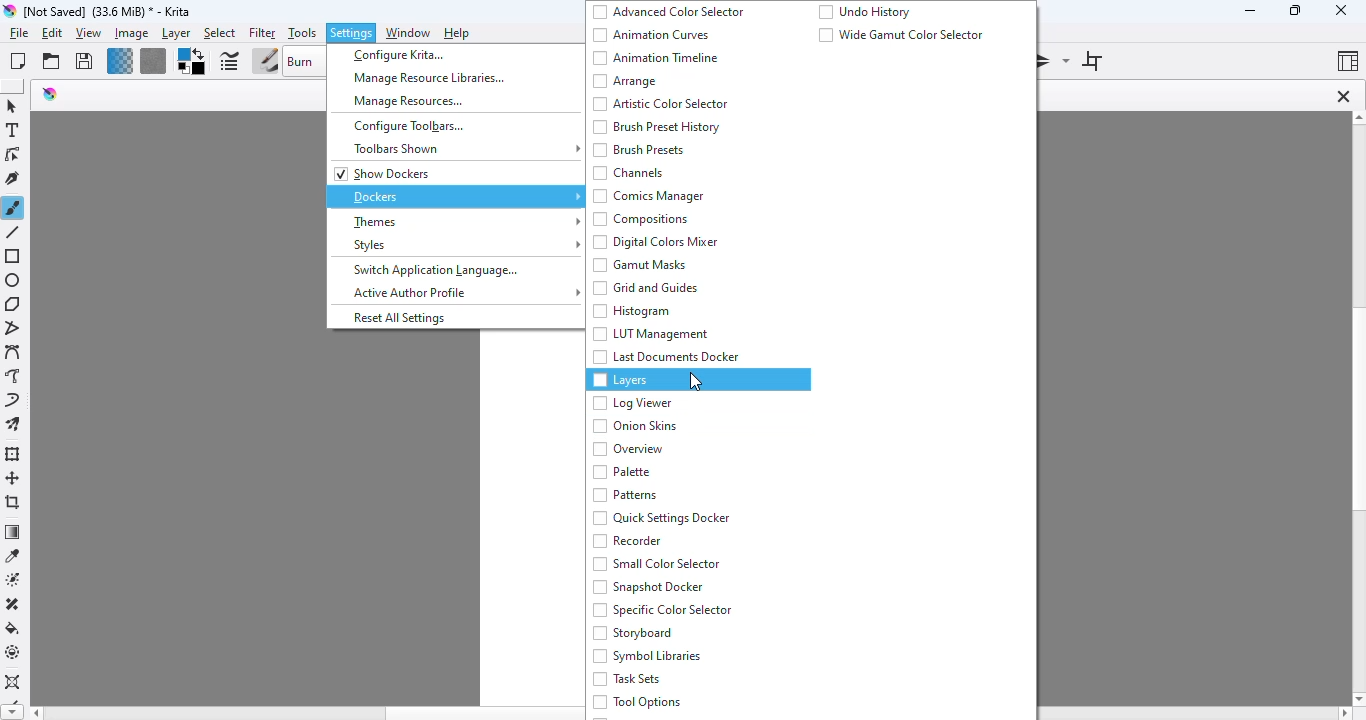  What do you see at coordinates (13, 532) in the screenshot?
I see `draw a gradient` at bounding box center [13, 532].